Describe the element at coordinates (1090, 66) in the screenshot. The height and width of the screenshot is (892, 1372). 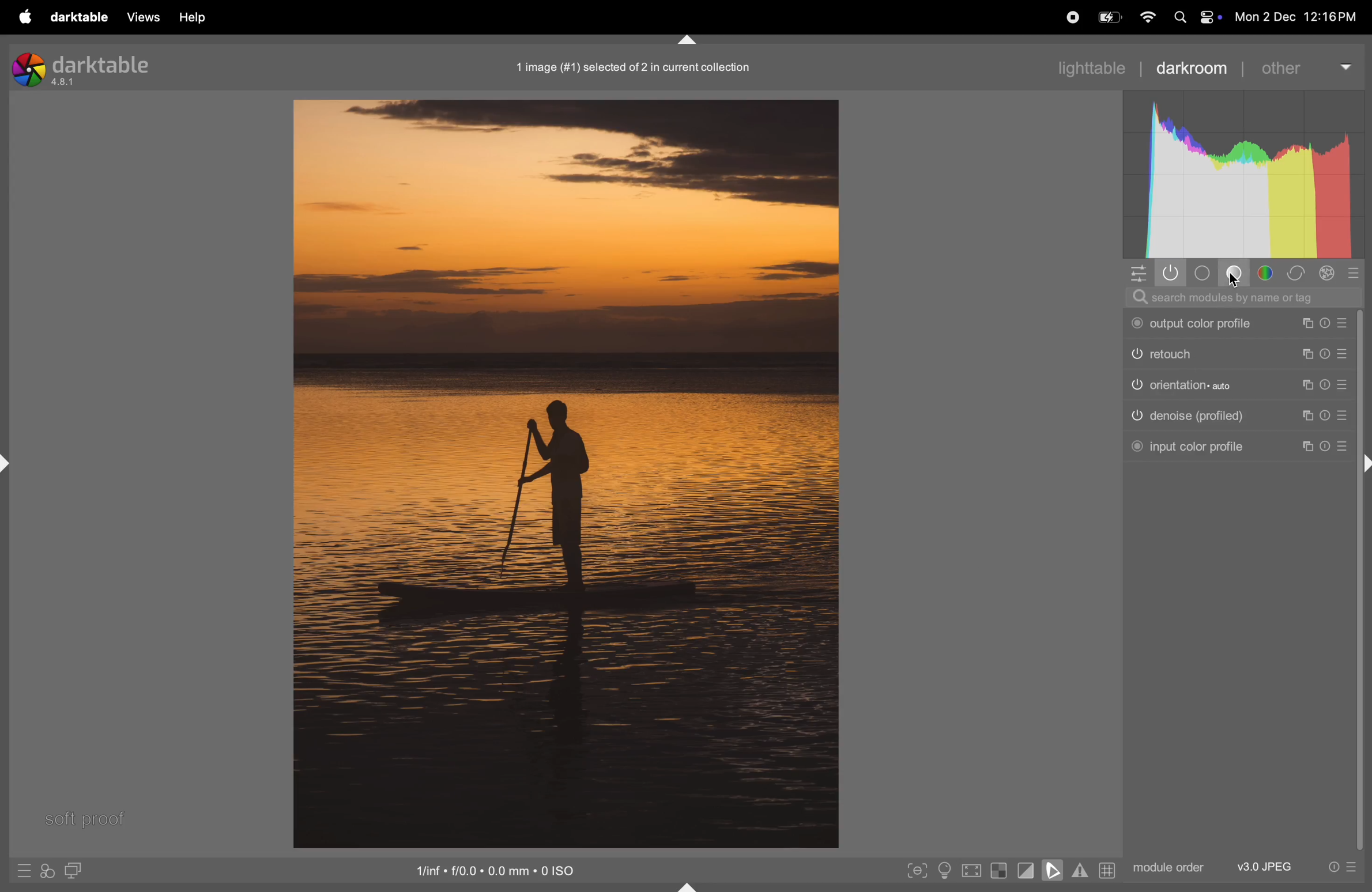
I see `lighttable` at that location.